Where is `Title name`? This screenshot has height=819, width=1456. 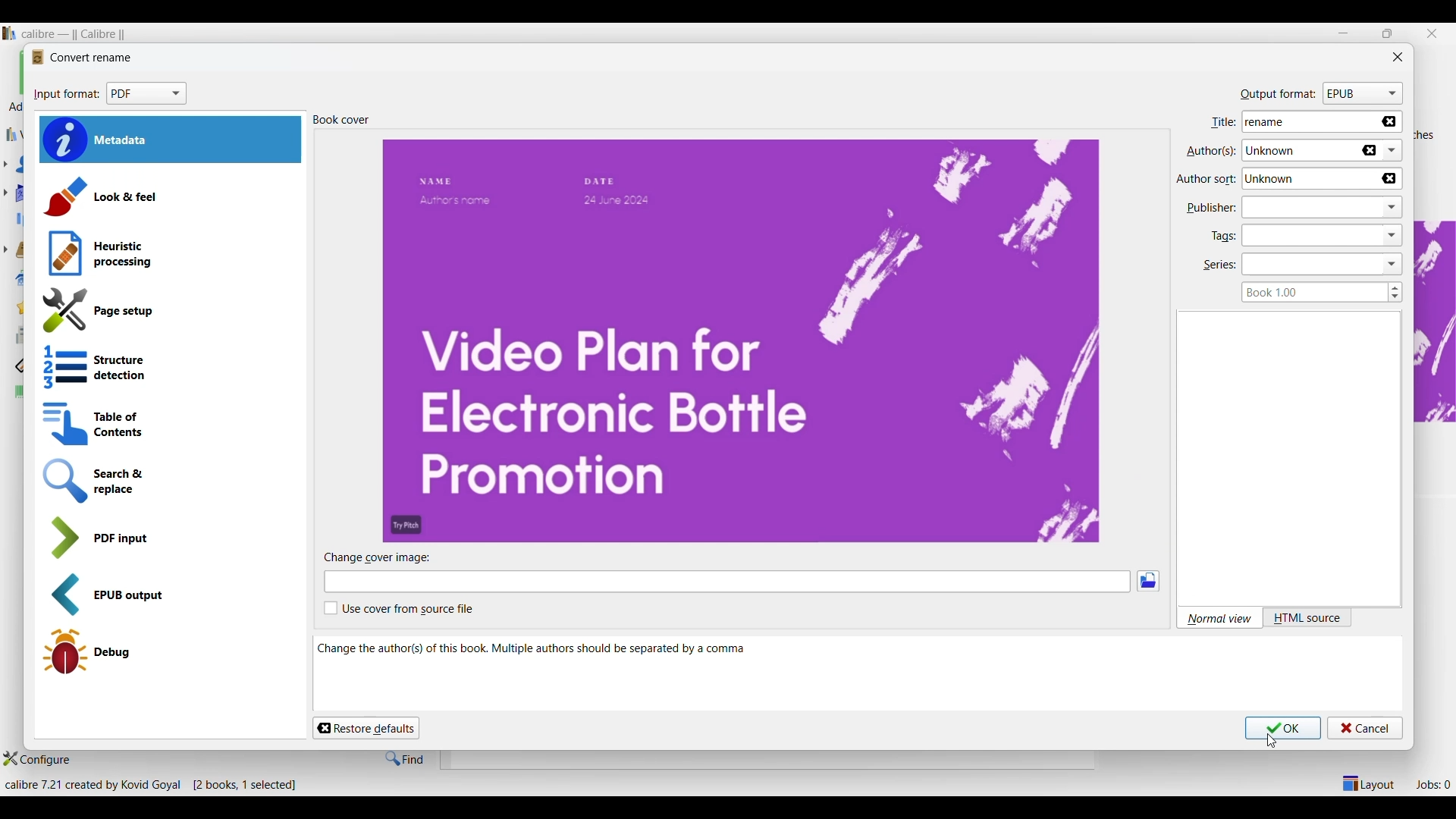 Title name is located at coordinates (1310, 122).